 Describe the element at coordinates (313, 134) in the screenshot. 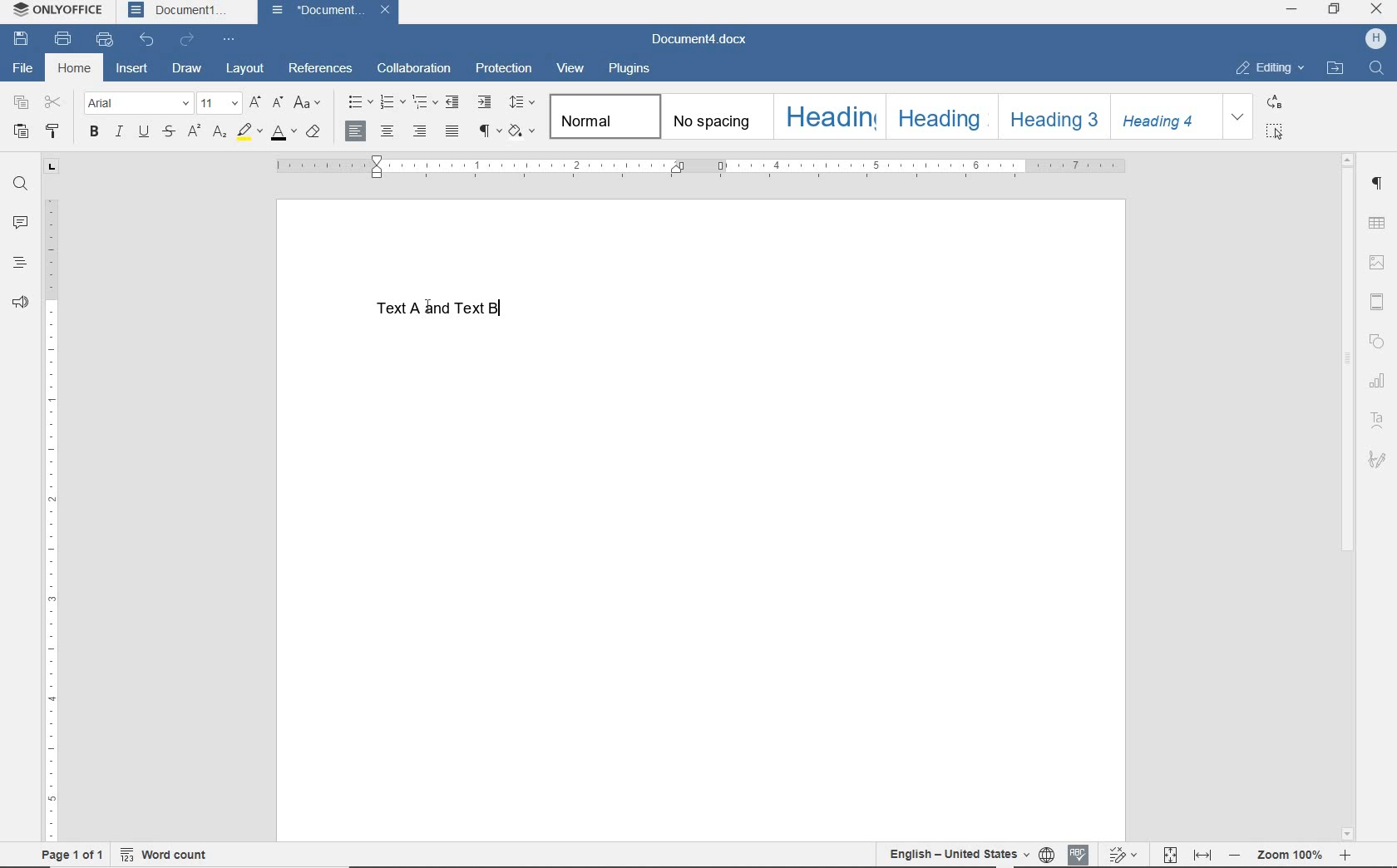

I see `CLEAR STYLE` at that location.